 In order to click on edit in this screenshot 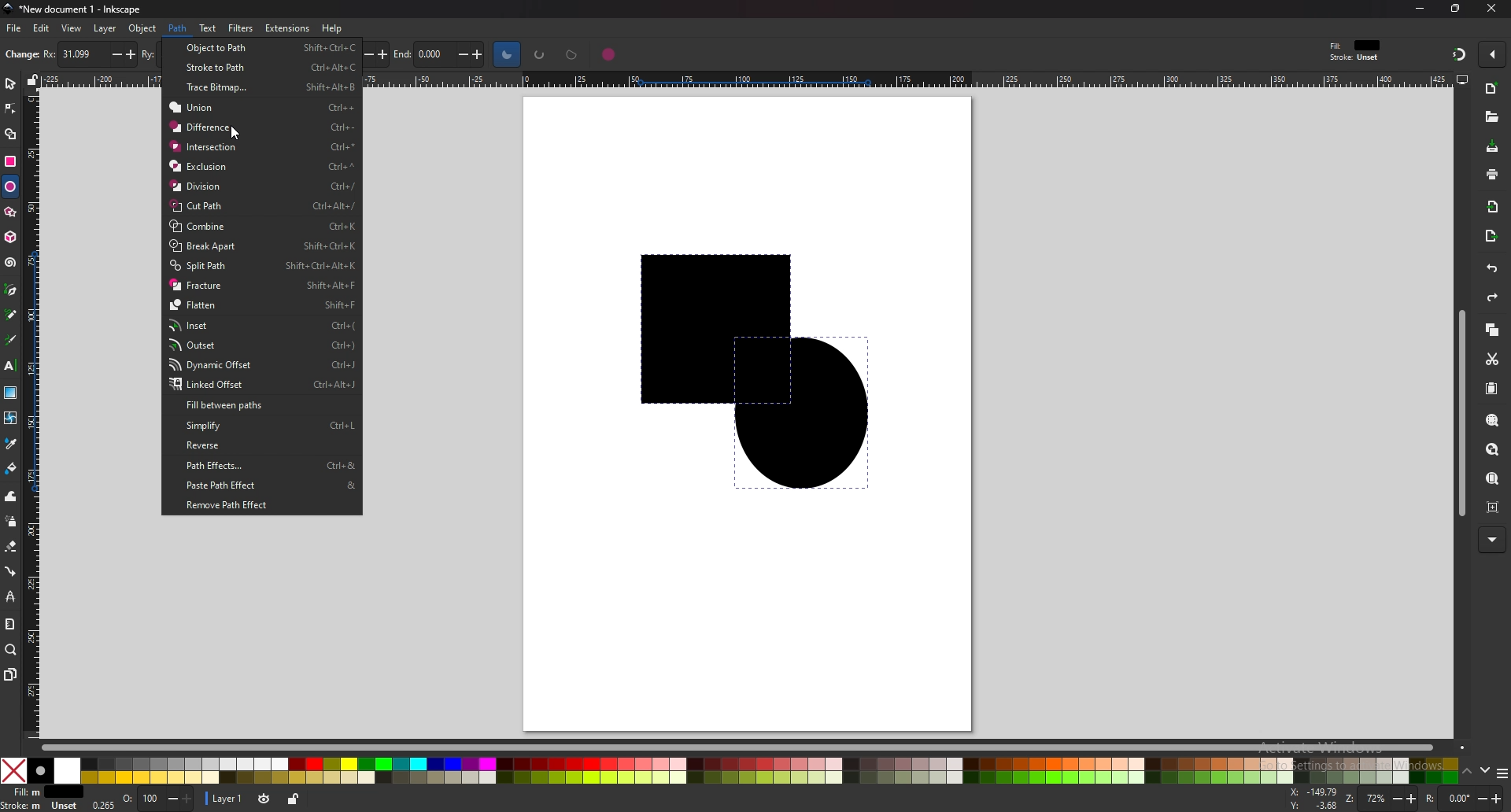, I will do `click(42, 29)`.